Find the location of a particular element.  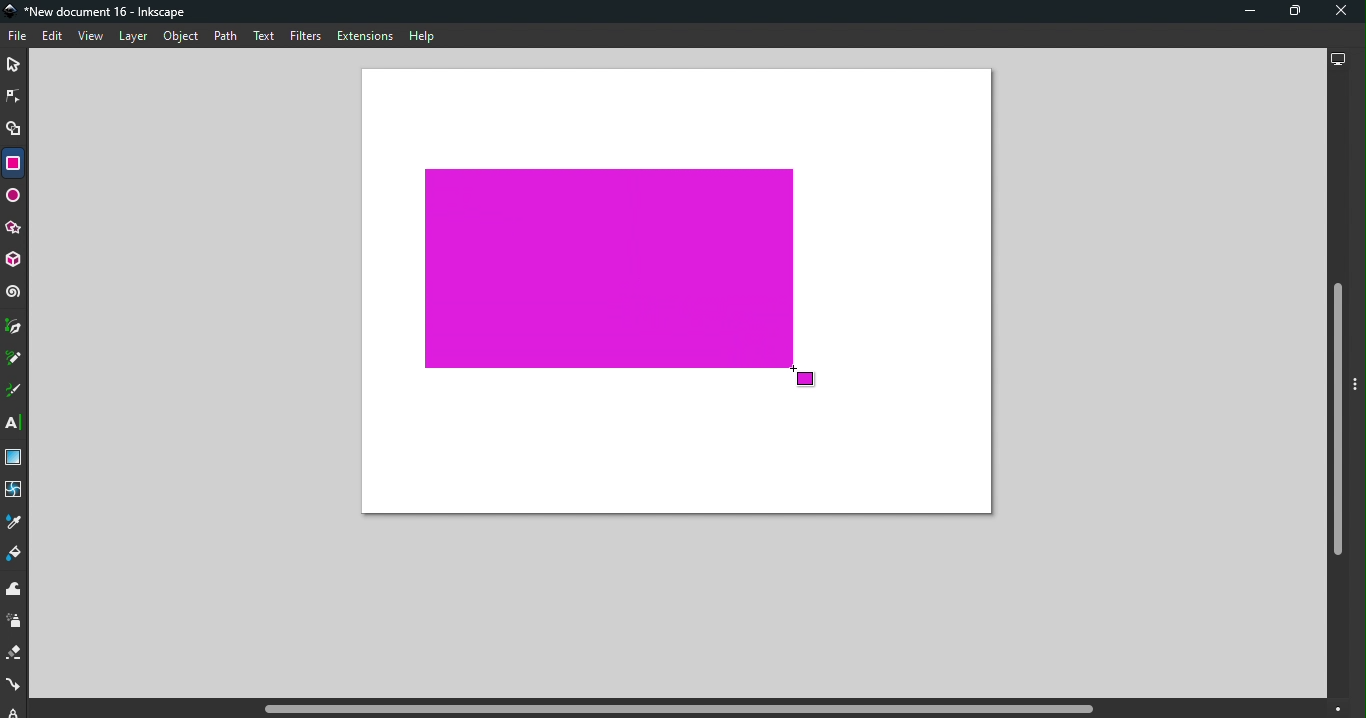

Star/polygon tool is located at coordinates (15, 229).